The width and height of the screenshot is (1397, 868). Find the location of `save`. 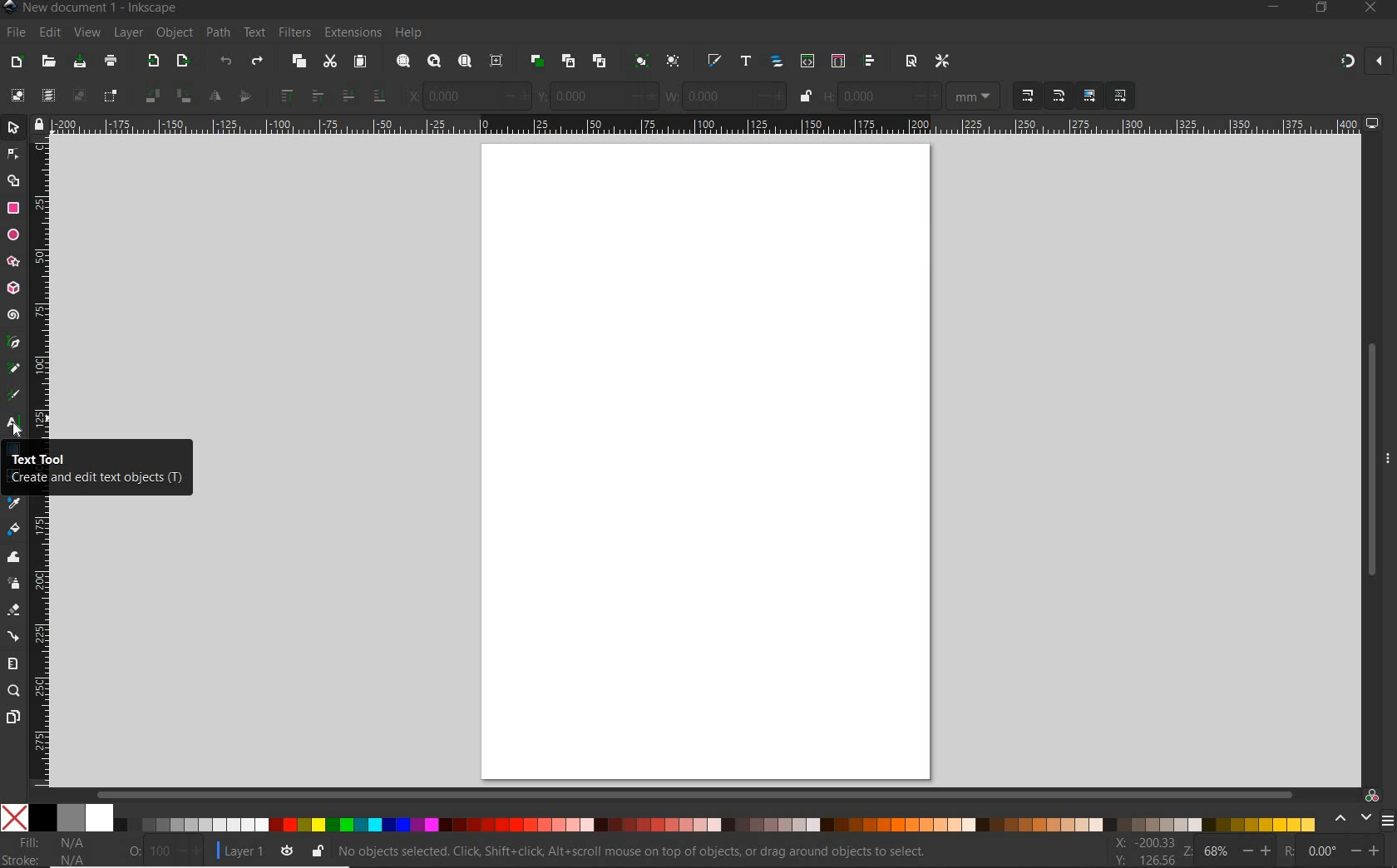

save is located at coordinates (80, 62).